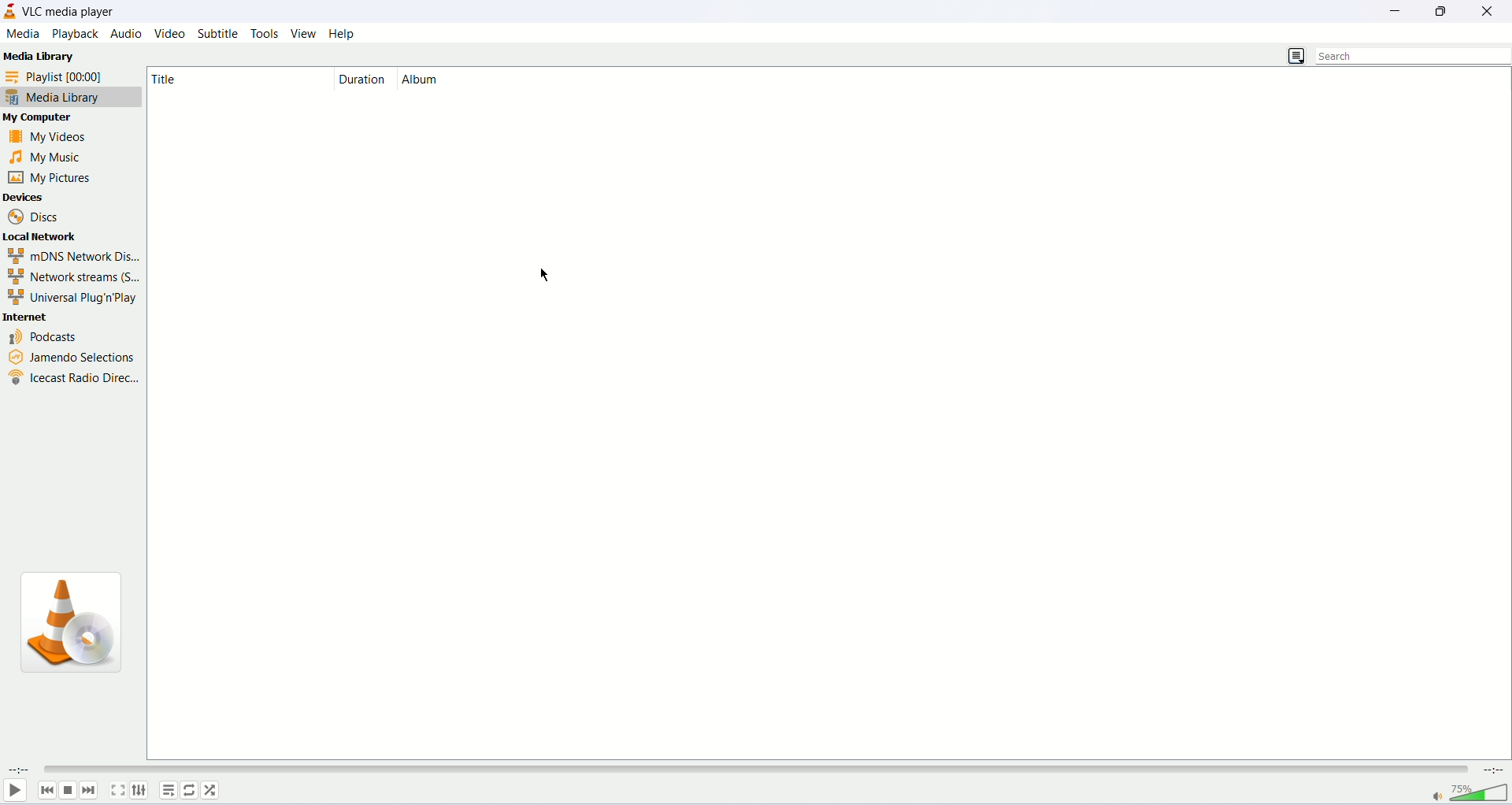 The height and width of the screenshot is (805, 1512). I want to click on my computer, so click(41, 117).